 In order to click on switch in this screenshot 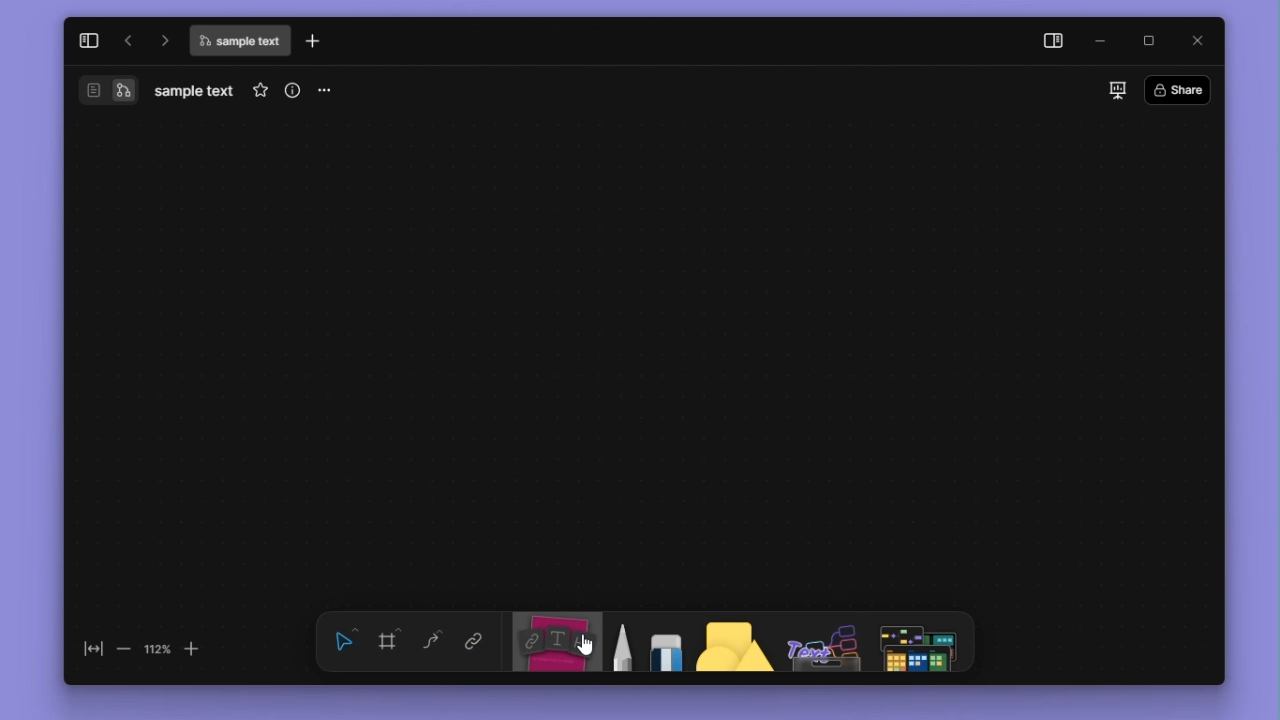, I will do `click(94, 90)`.